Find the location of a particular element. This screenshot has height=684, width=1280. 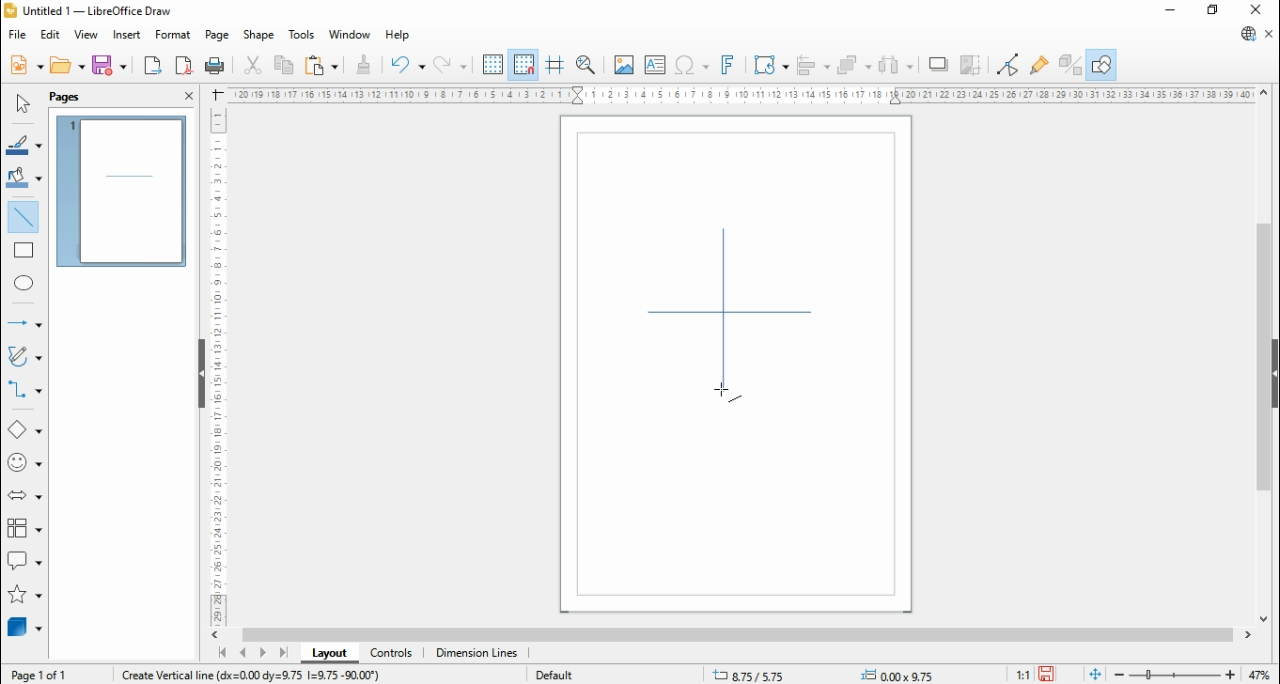

lines and arrows is located at coordinates (22, 323).